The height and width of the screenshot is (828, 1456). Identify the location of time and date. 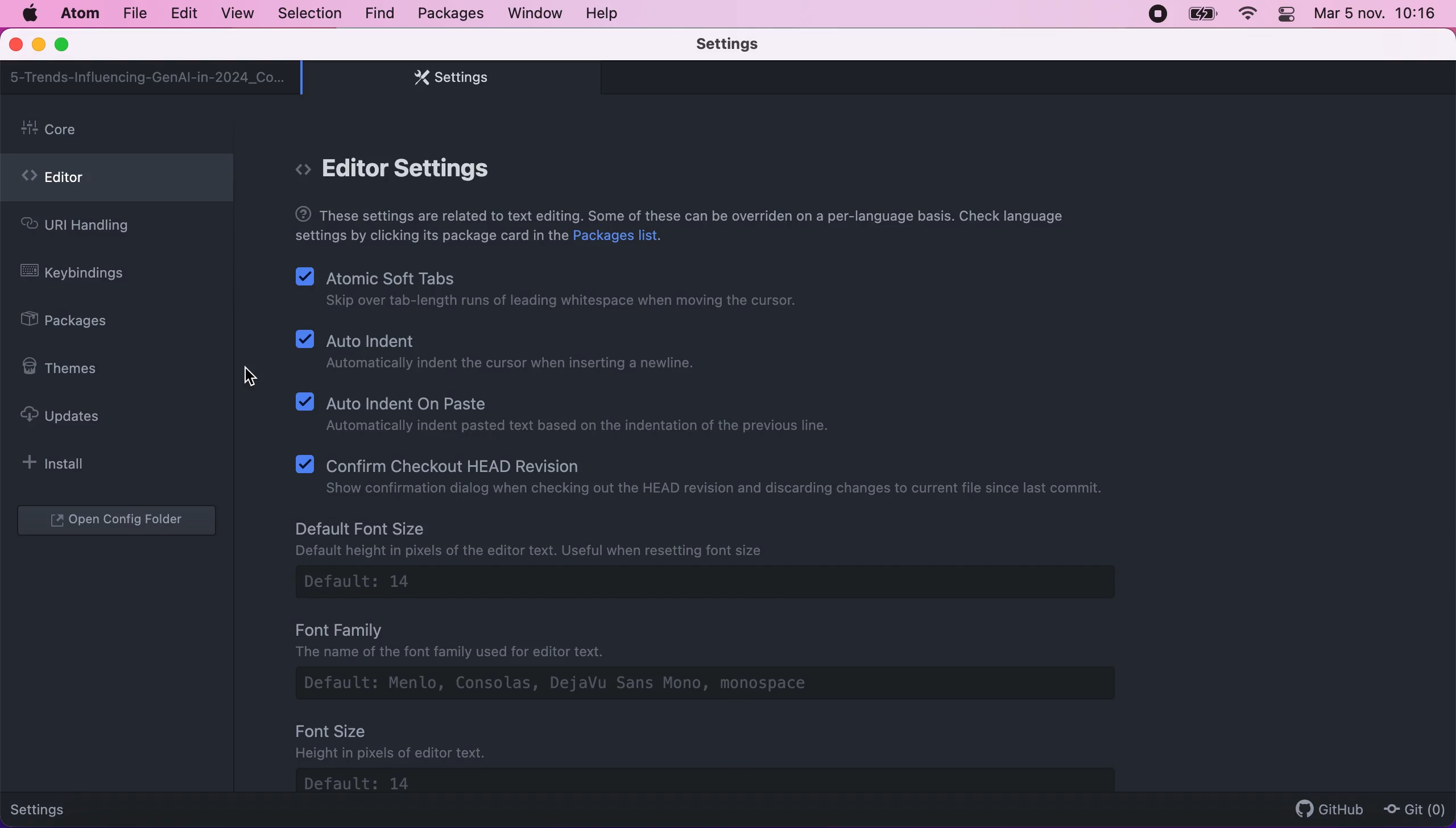
(1378, 16).